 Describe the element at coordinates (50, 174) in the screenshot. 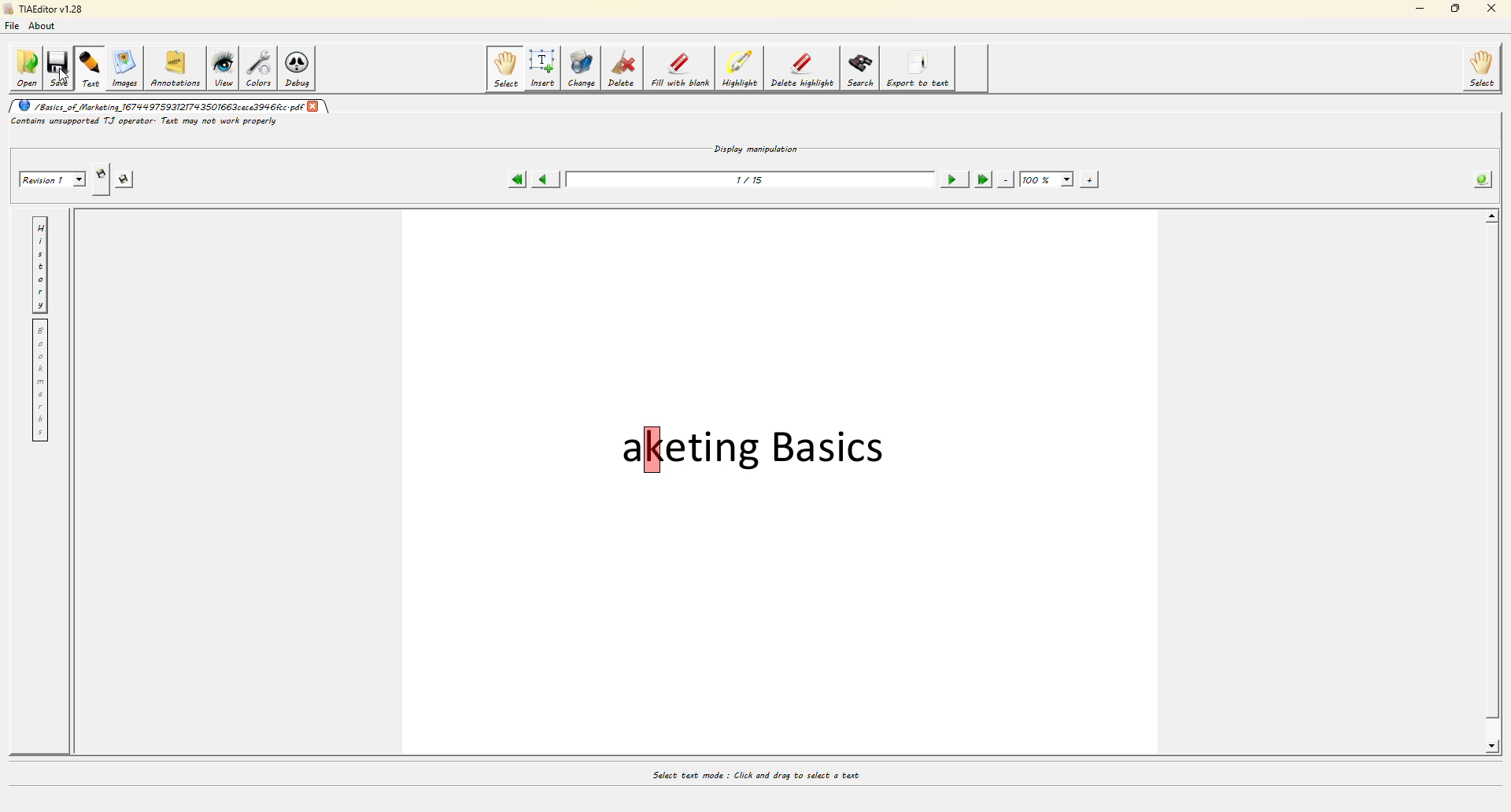

I see `revision` at that location.